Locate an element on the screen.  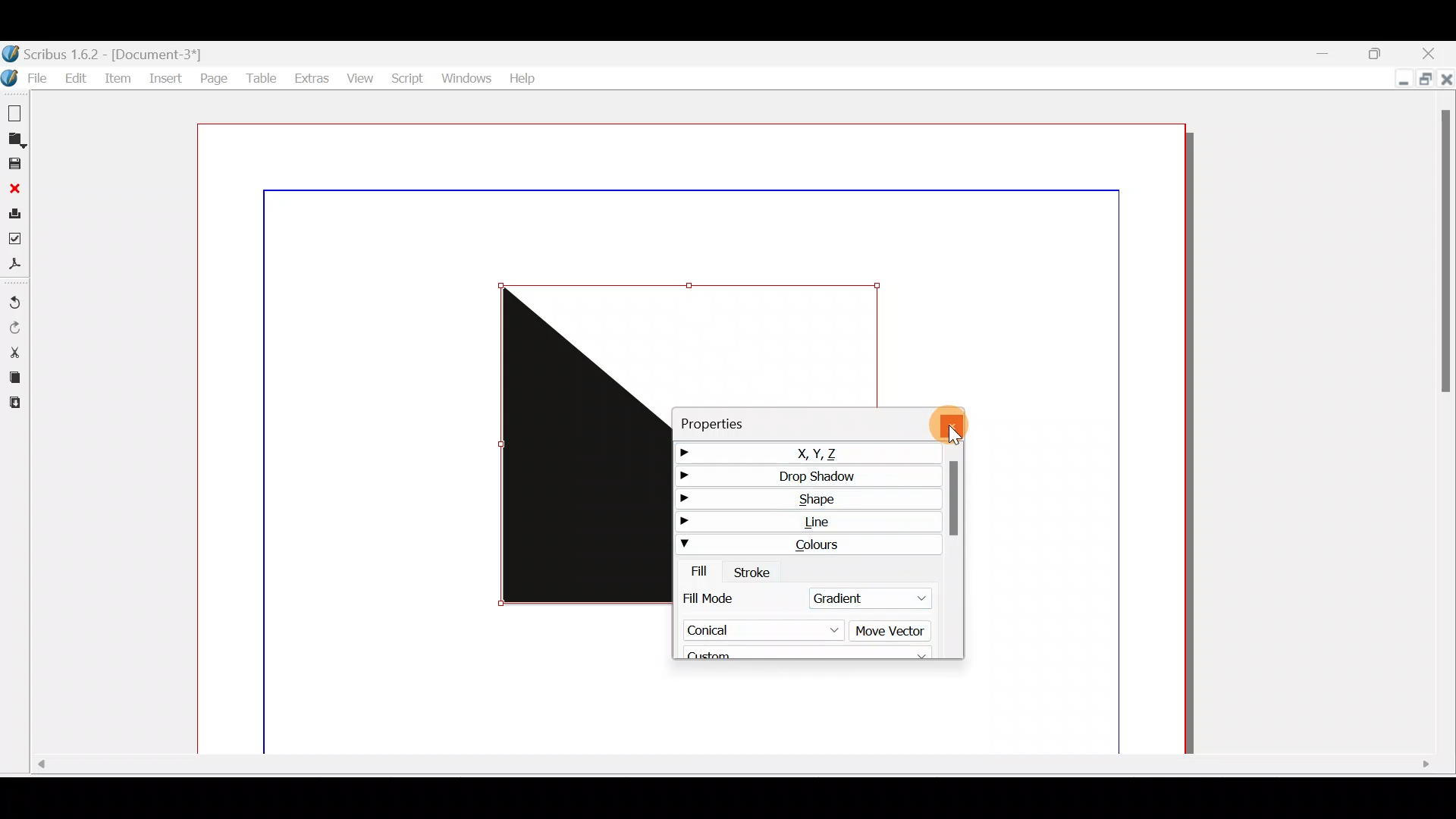
Insert is located at coordinates (165, 80).